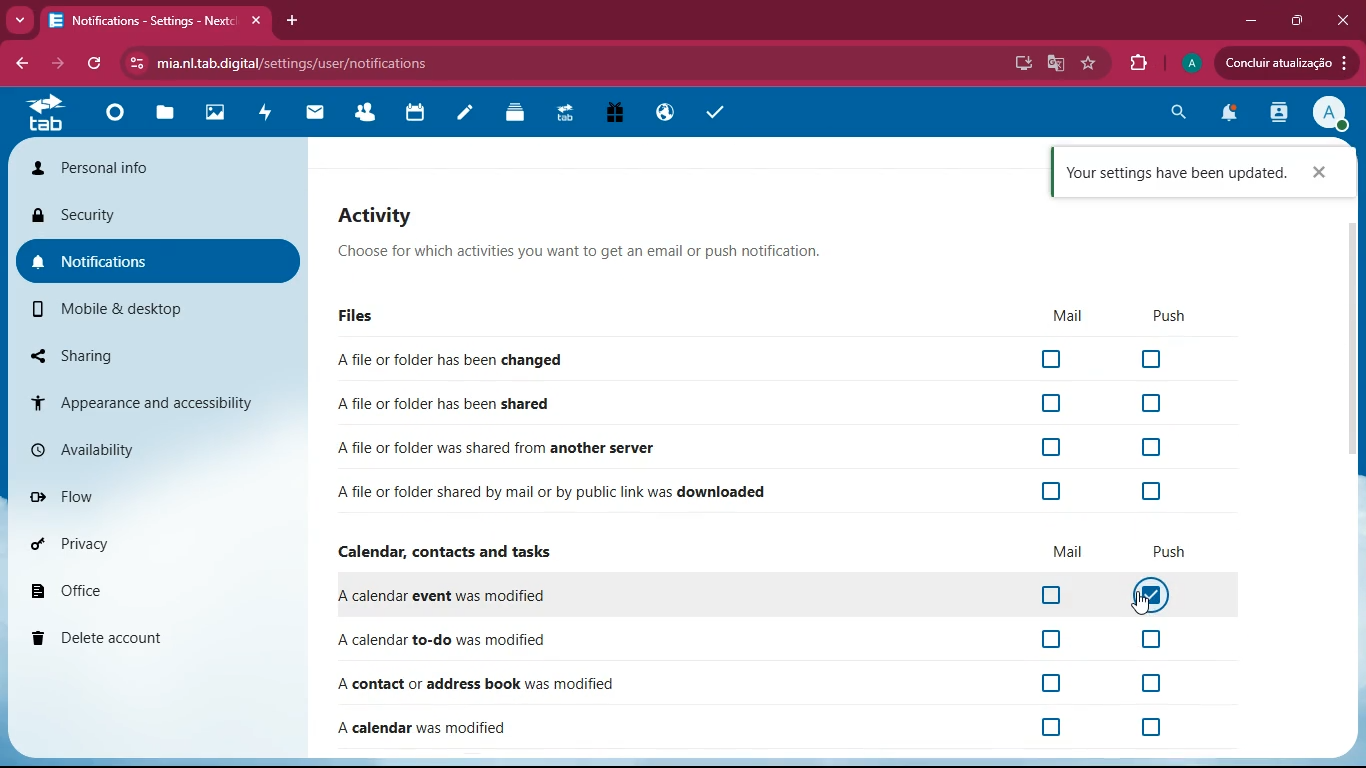 The width and height of the screenshot is (1366, 768). I want to click on Your settings have been updated., so click(1174, 174).